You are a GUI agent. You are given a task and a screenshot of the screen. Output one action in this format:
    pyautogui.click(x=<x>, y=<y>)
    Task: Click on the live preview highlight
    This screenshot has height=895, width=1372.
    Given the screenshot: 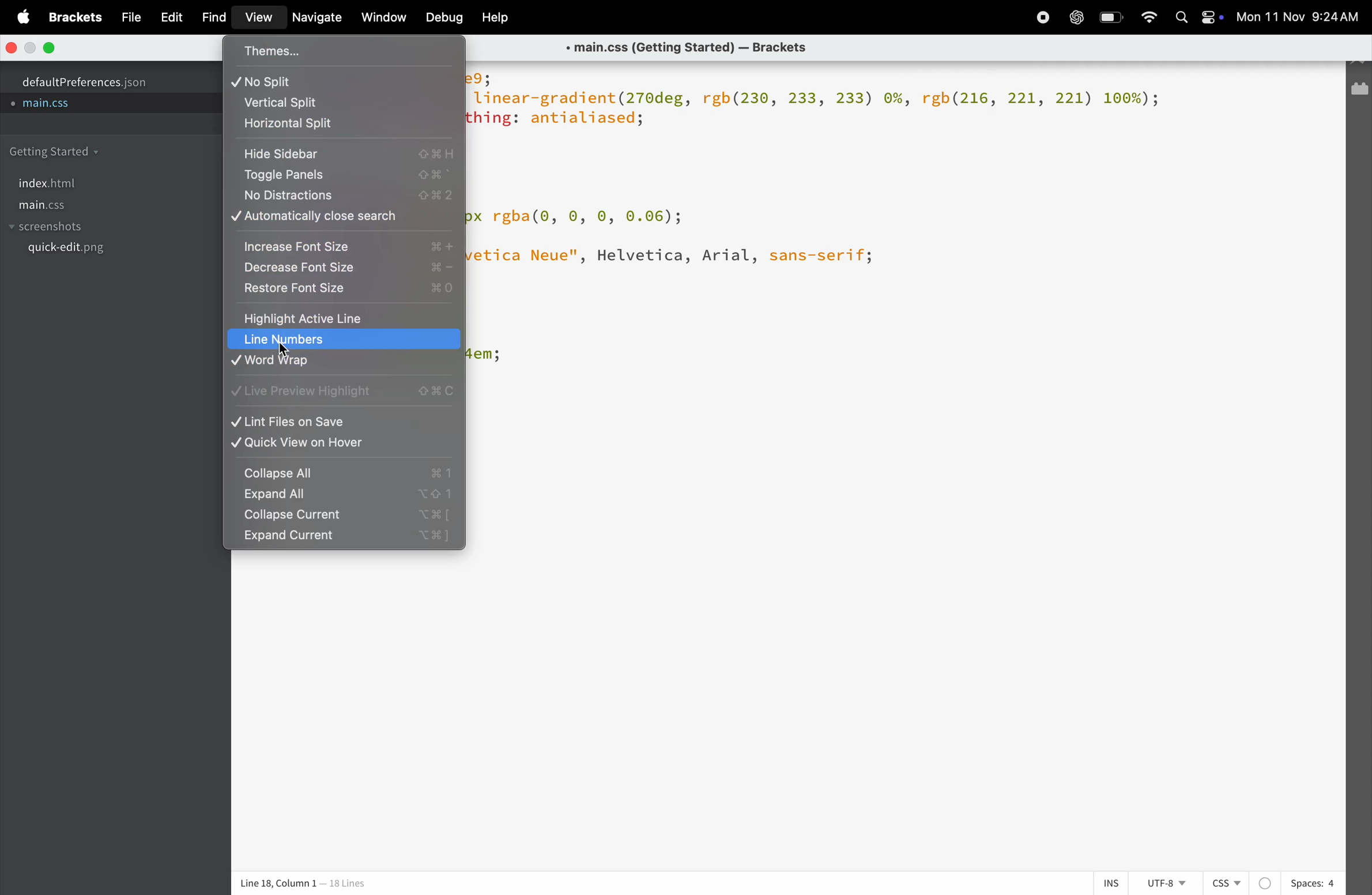 What is the action you would take?
    pyautogui.click(x=344, y=396)
    